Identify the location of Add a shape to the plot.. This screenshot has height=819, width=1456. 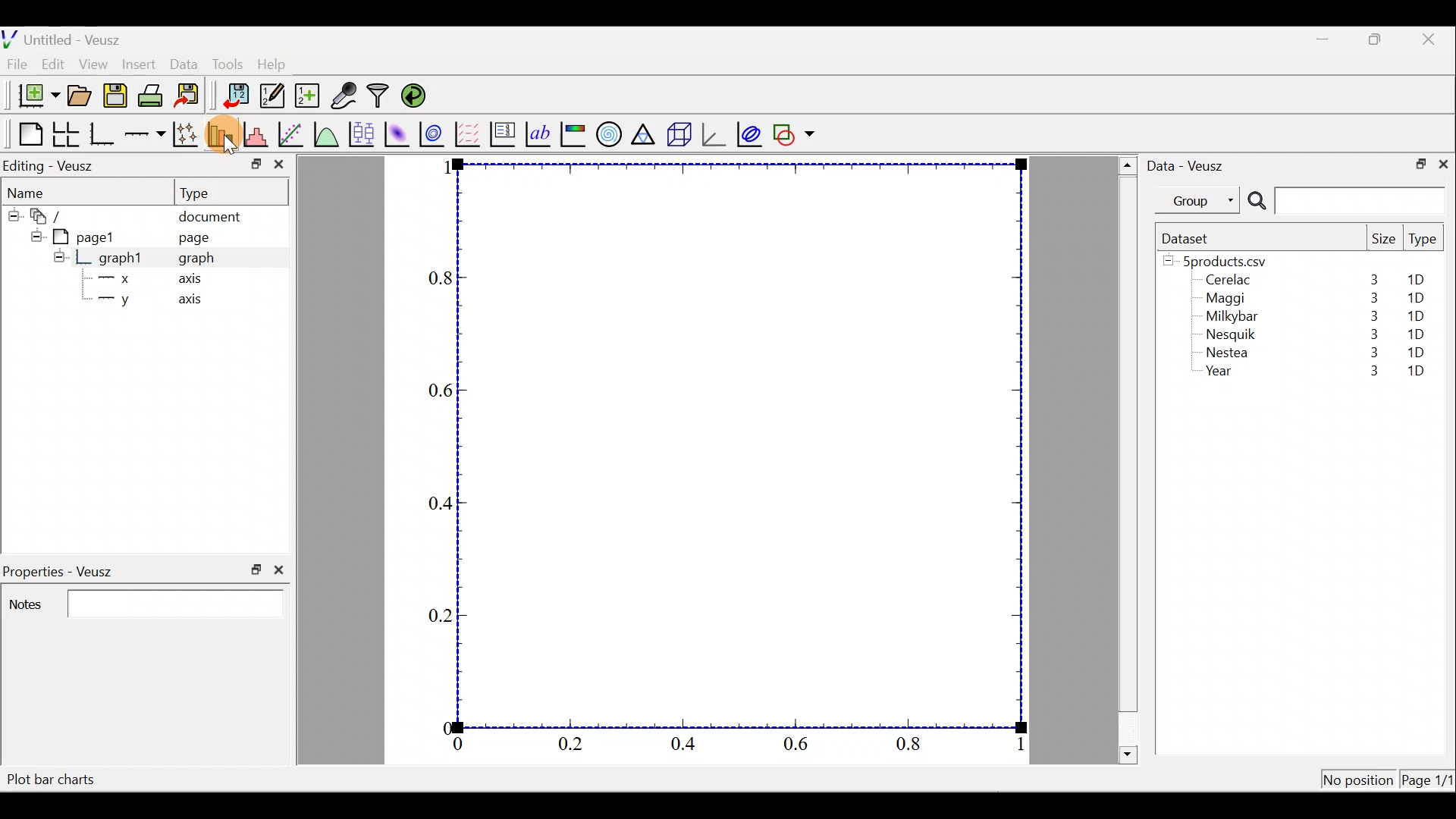
(795, 132).